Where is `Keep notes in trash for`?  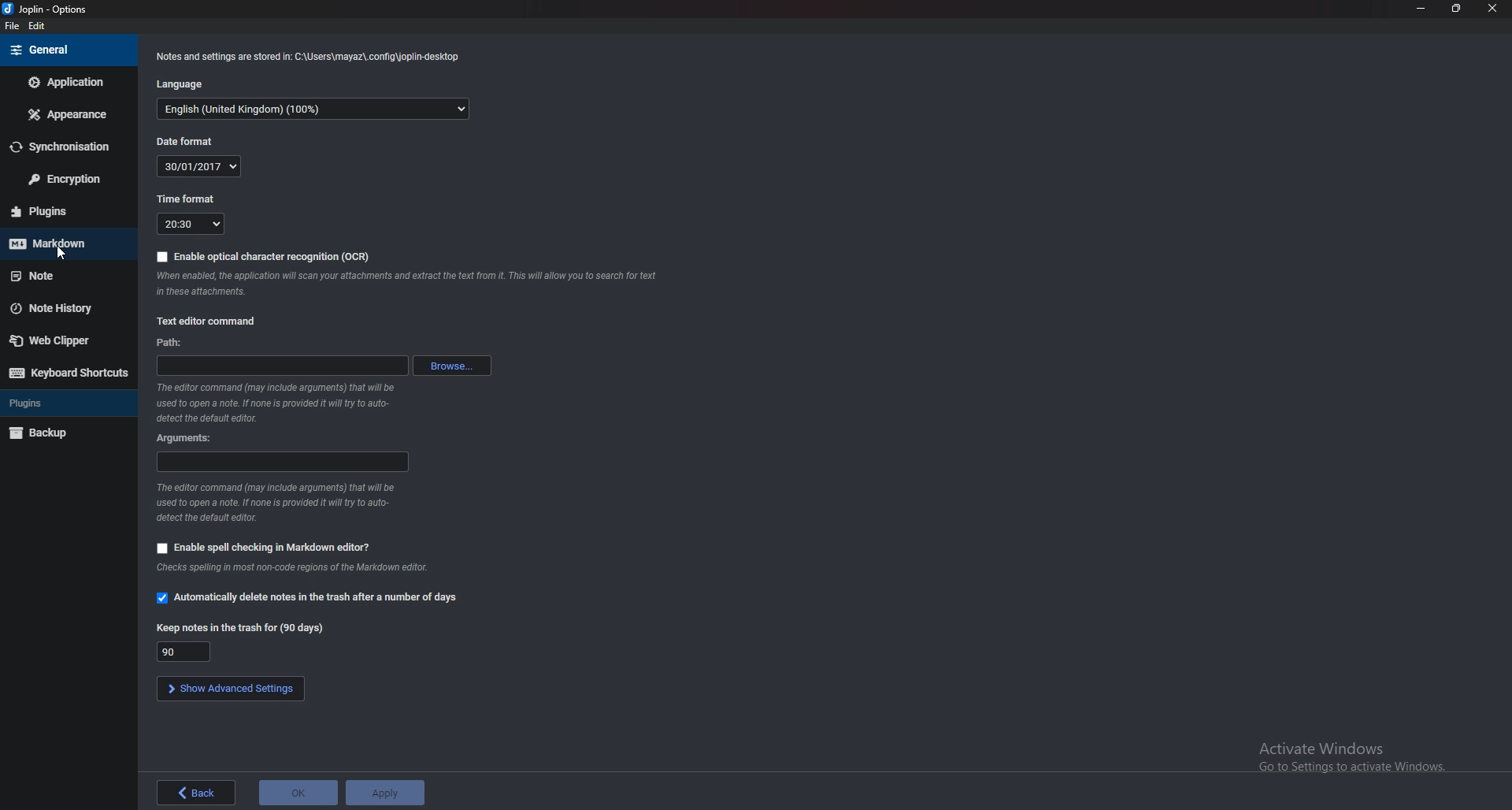 Keep notes in trash for is located at coordinates (183, 652).